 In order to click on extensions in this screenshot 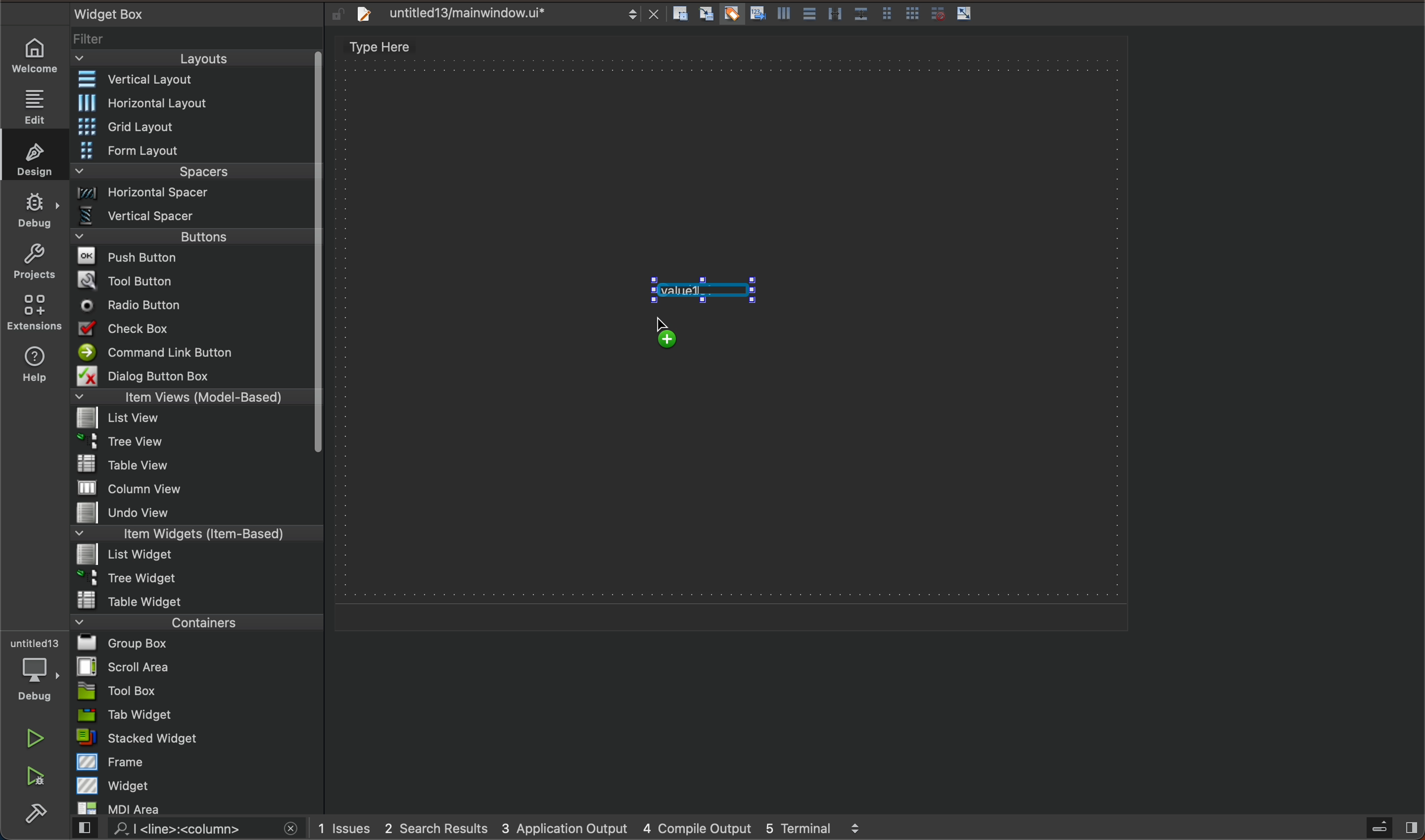, I will do `click(33, 312)`.